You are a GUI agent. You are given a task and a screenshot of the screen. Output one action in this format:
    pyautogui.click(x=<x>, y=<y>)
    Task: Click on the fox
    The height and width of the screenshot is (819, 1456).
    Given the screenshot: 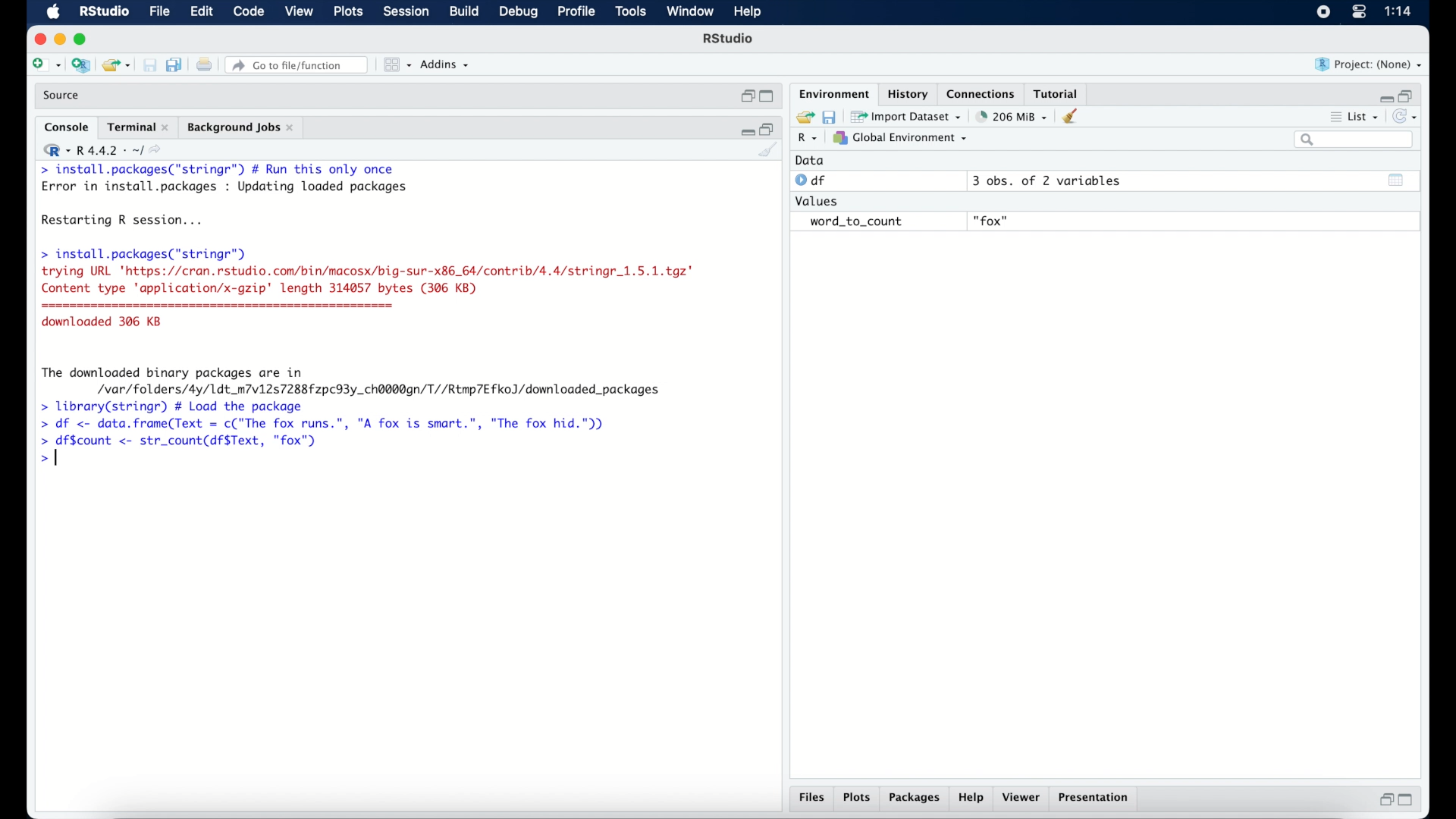 What is the action you would take?
    pyautogui.click(x=992, y=221)
    